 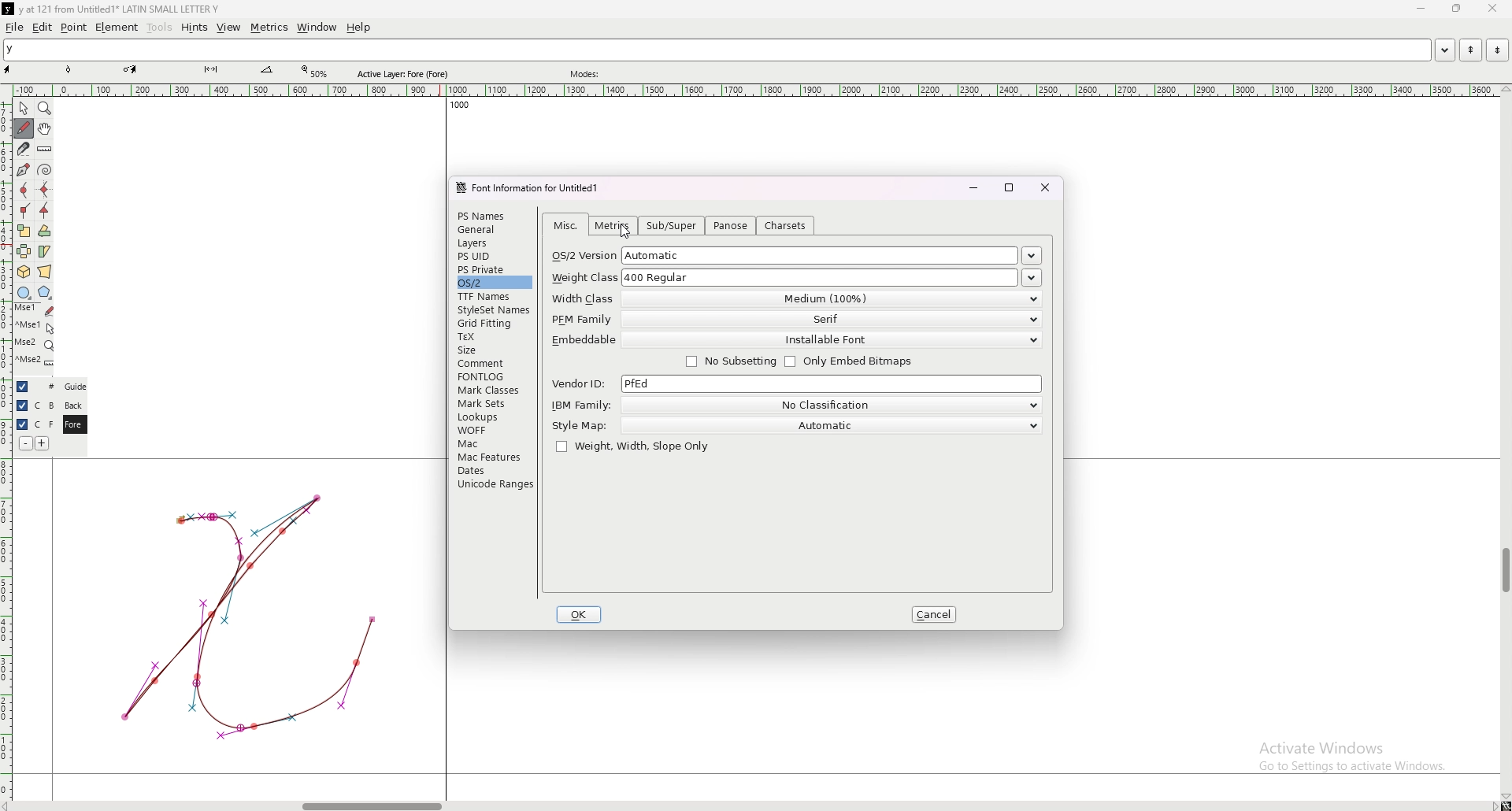 I want to click on add a tangent point, so click(x=45, y=211).